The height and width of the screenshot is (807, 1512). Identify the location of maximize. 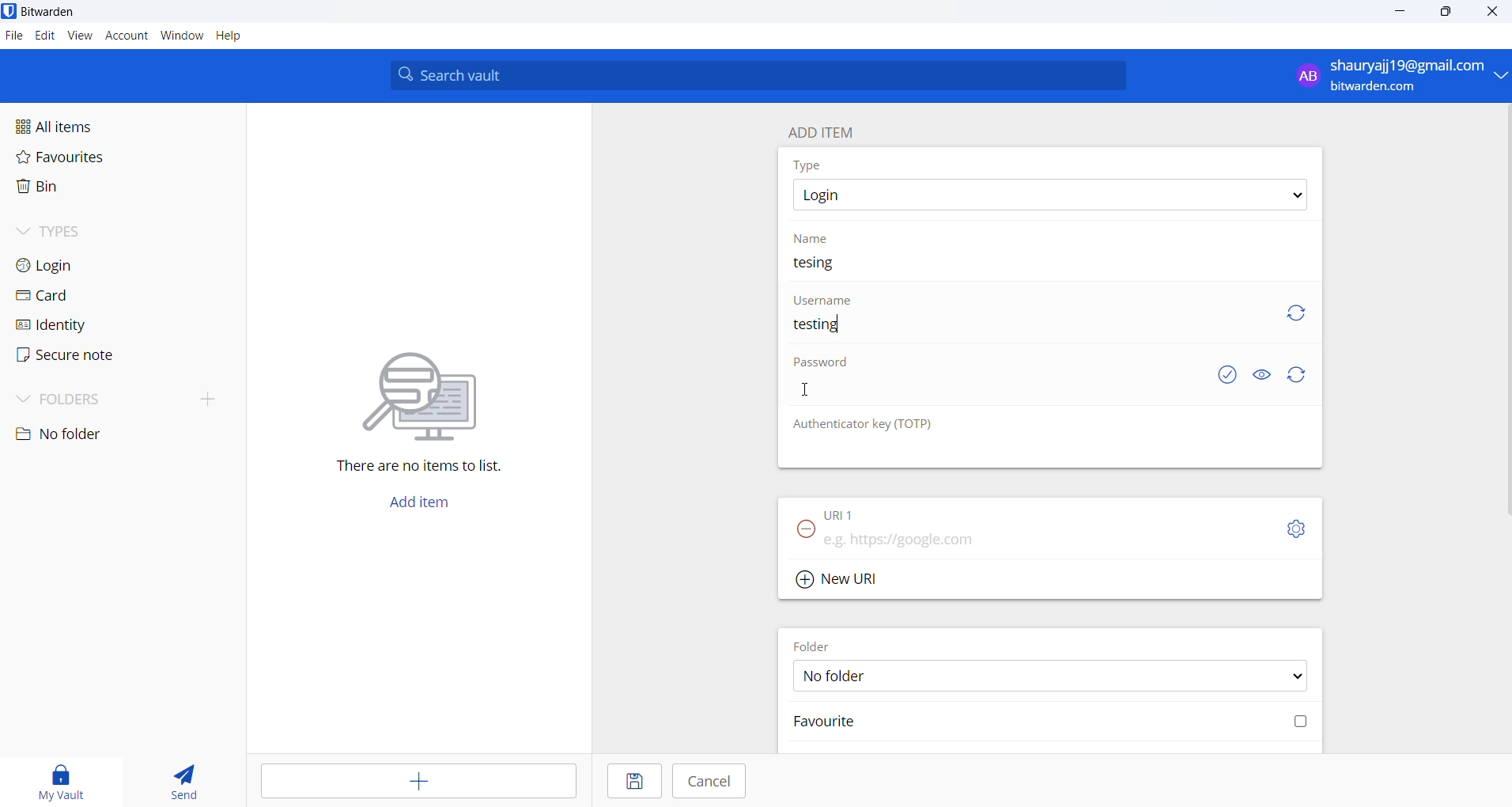
(1447, 13).